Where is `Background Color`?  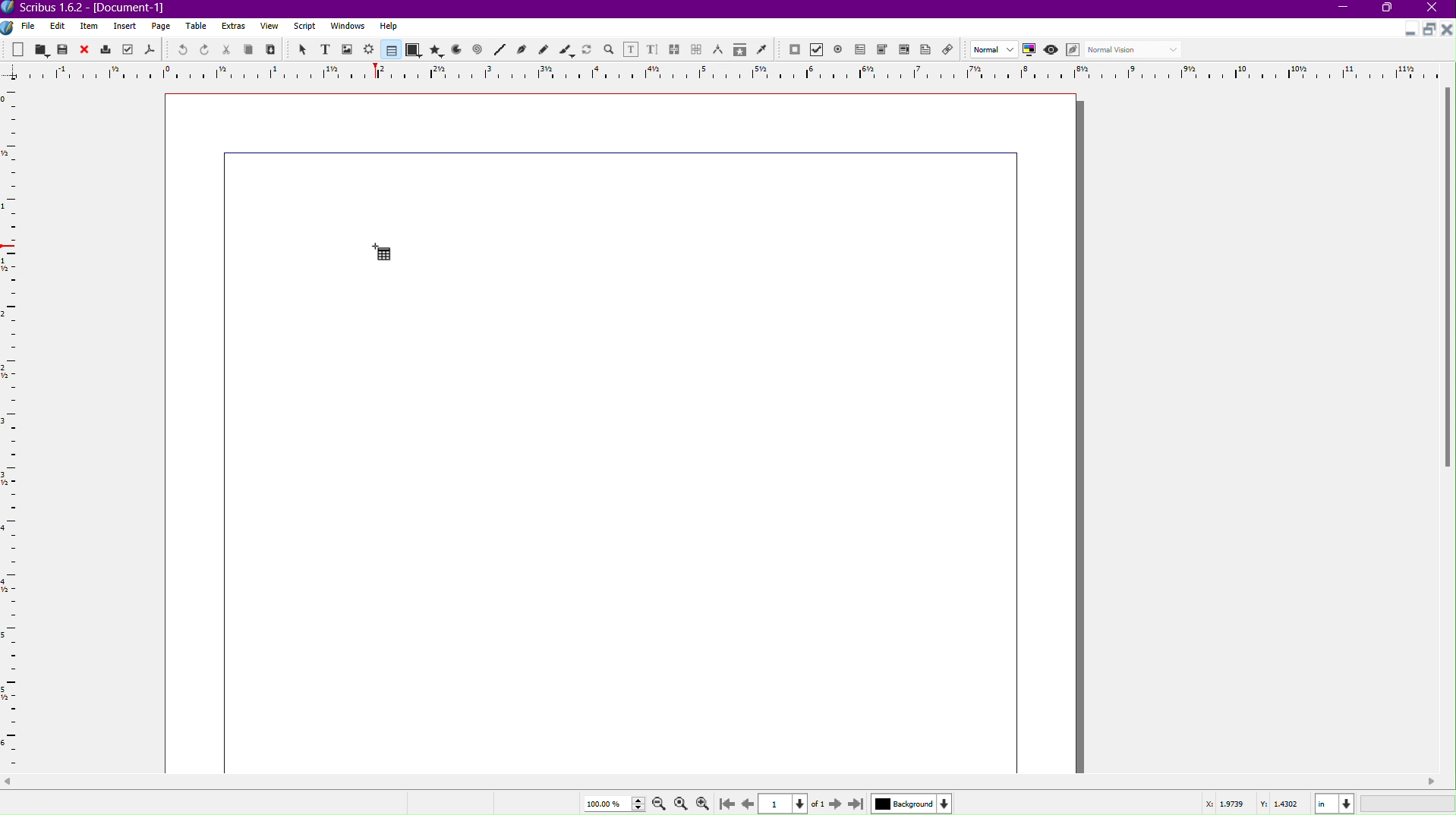
Background Color is located at coordinates (909, 803).